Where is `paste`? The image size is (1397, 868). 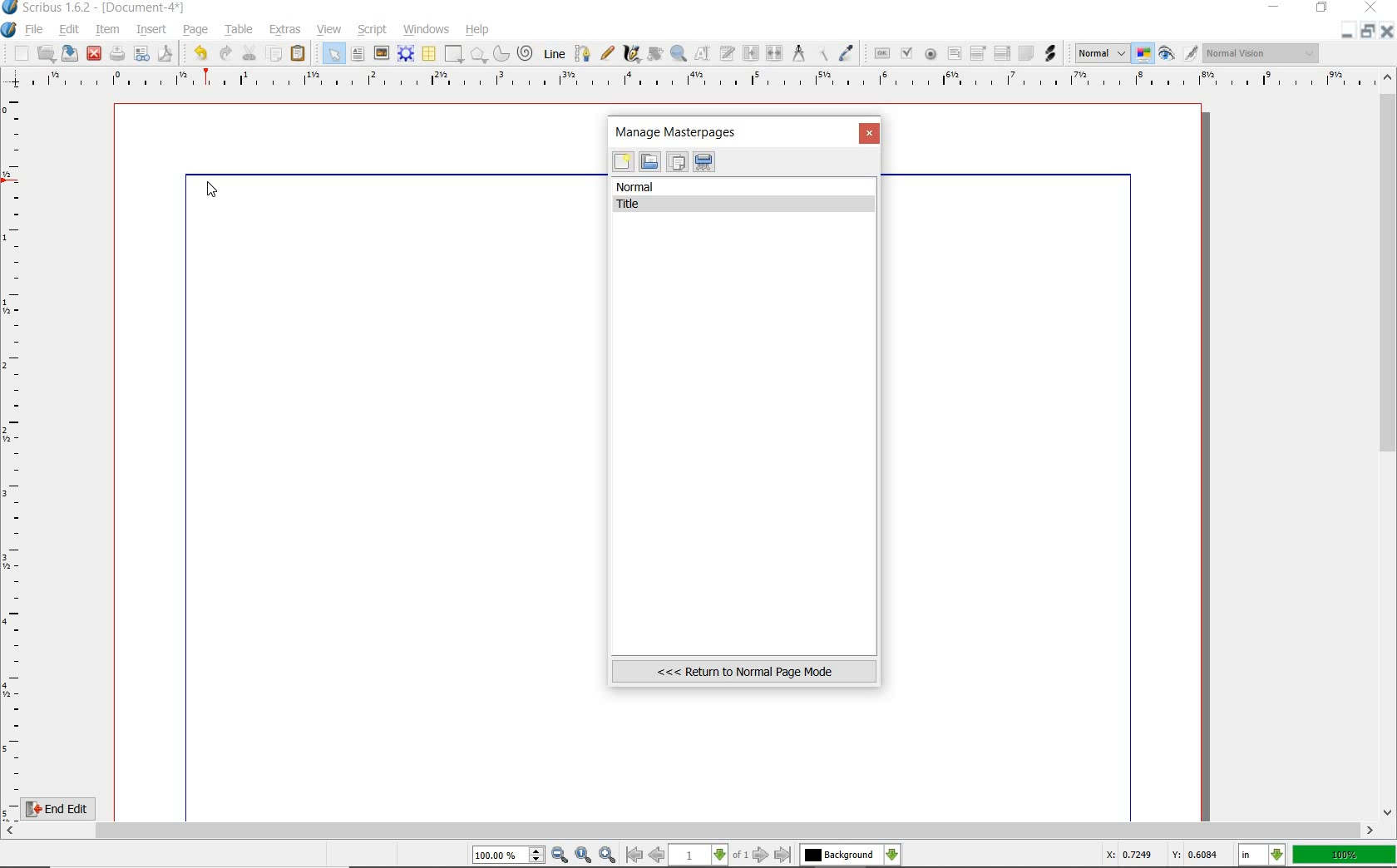
paste is located at coordinates (299, 54).